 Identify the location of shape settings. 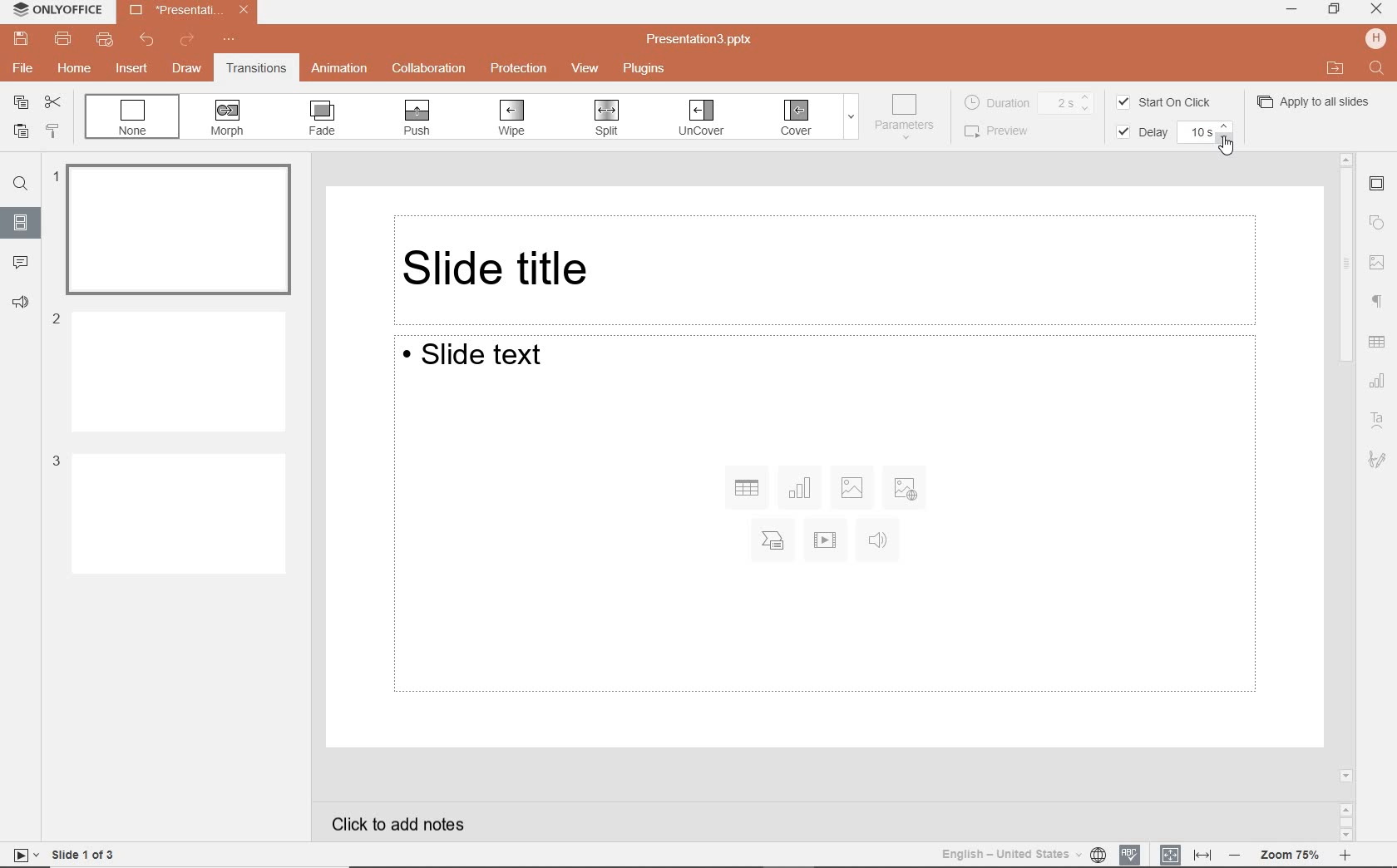
(1377, 223).